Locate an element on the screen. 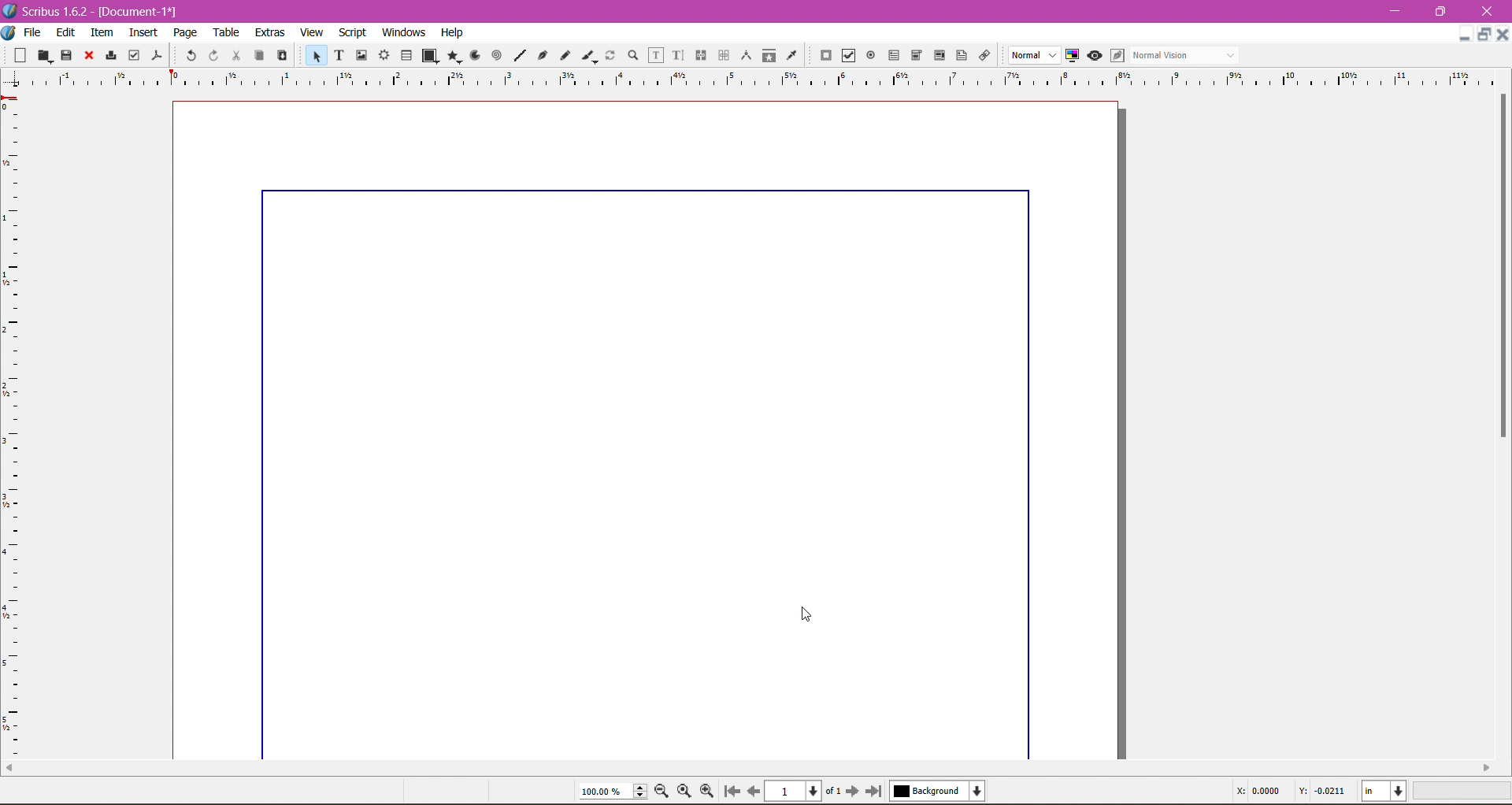 This screenshot has width=1512, height=805. Go to next page is located at coordinates (852, 792).